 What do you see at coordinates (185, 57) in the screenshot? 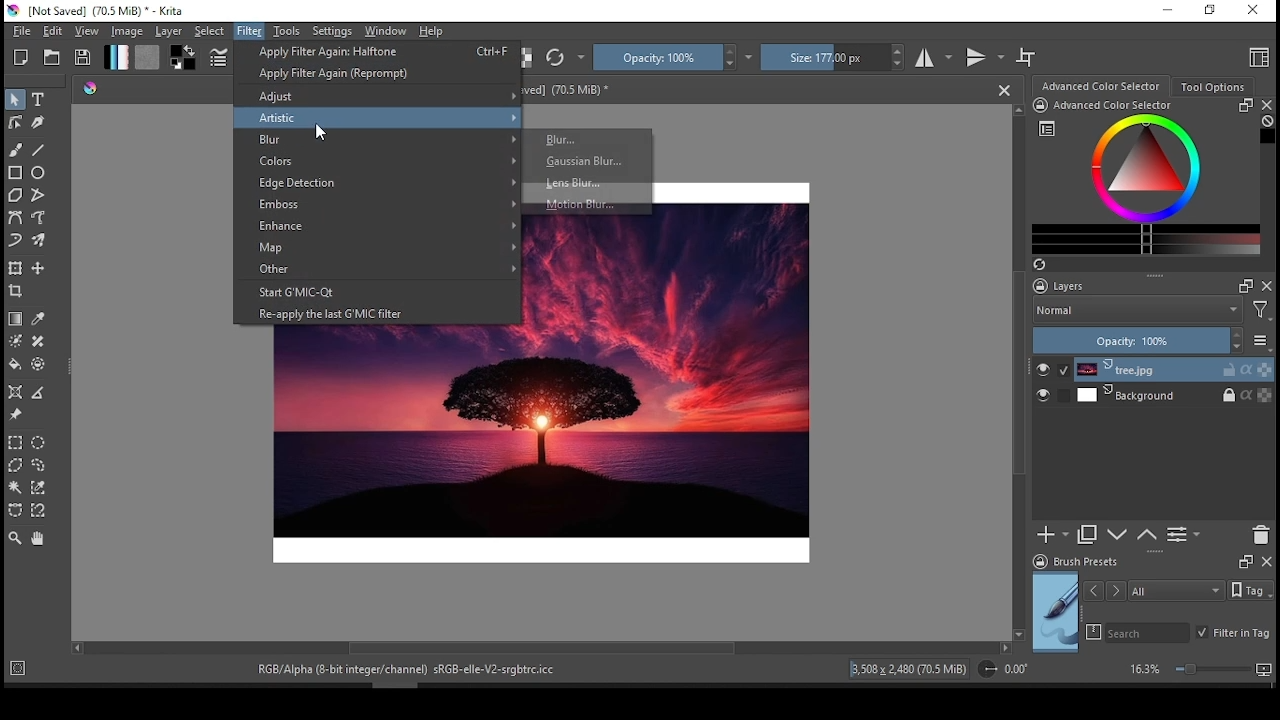
I see `colors` at bounding box center [185, 57].